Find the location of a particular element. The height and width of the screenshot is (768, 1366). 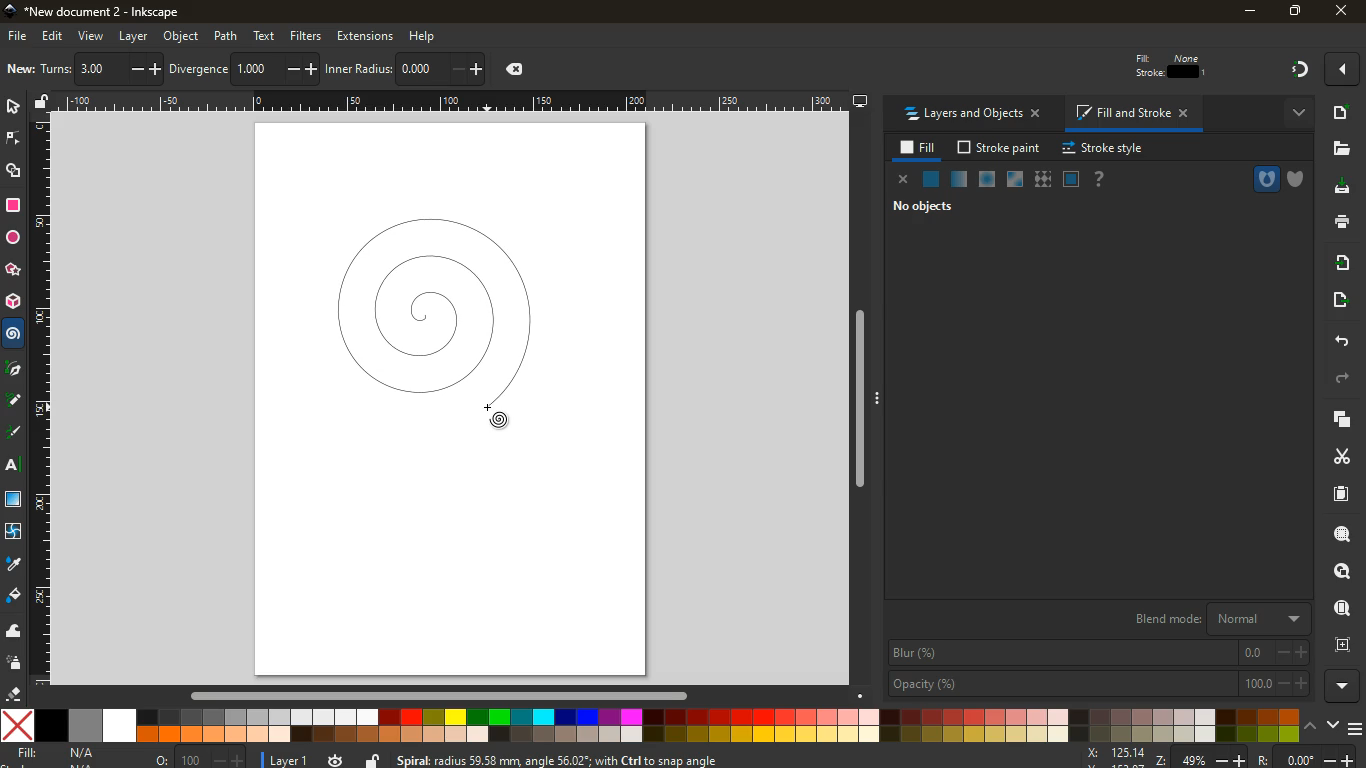

zoom is located at coordinates (1226, 756).